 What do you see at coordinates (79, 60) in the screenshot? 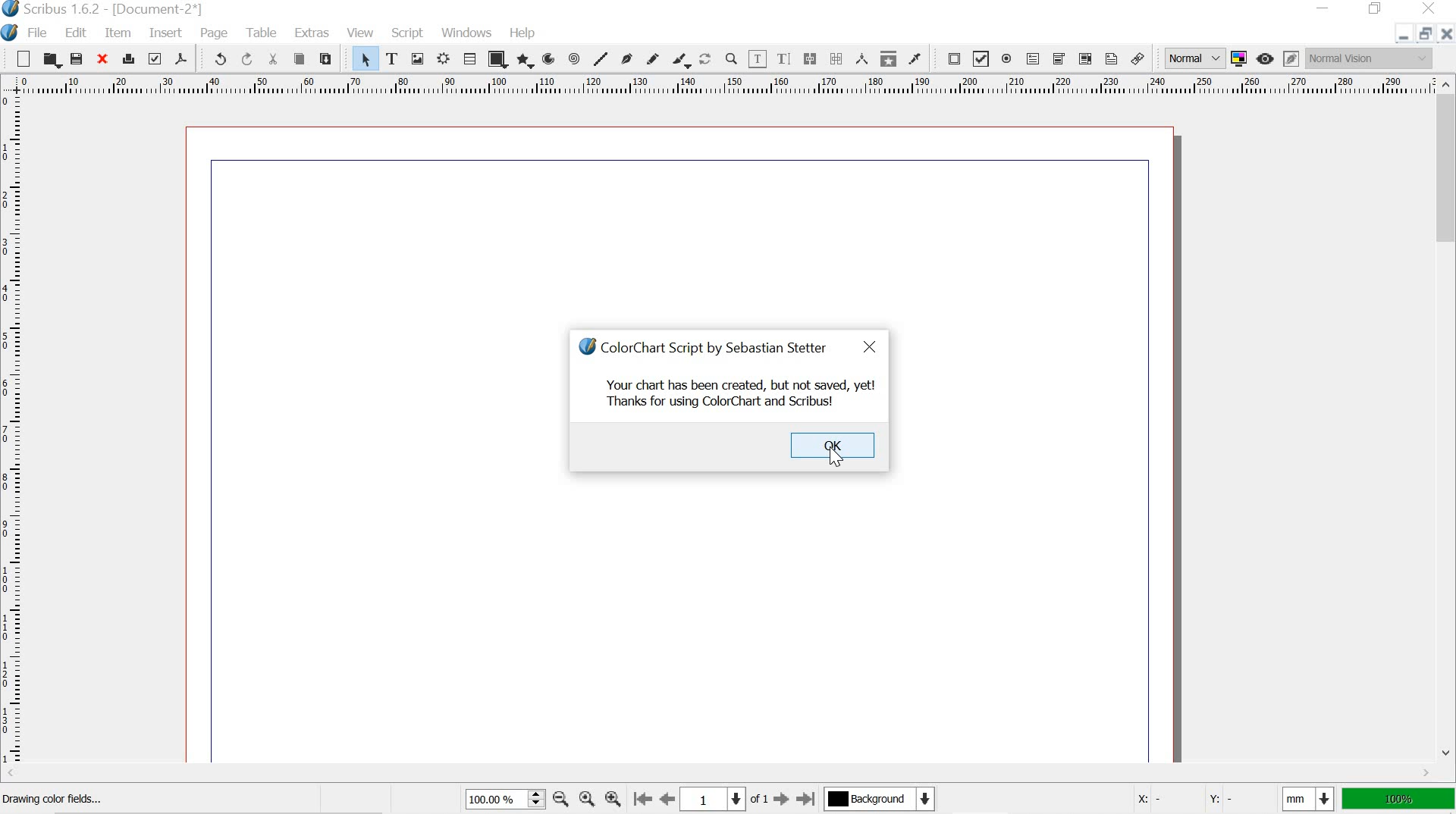
I see `save` at bounding box center [79, 60].